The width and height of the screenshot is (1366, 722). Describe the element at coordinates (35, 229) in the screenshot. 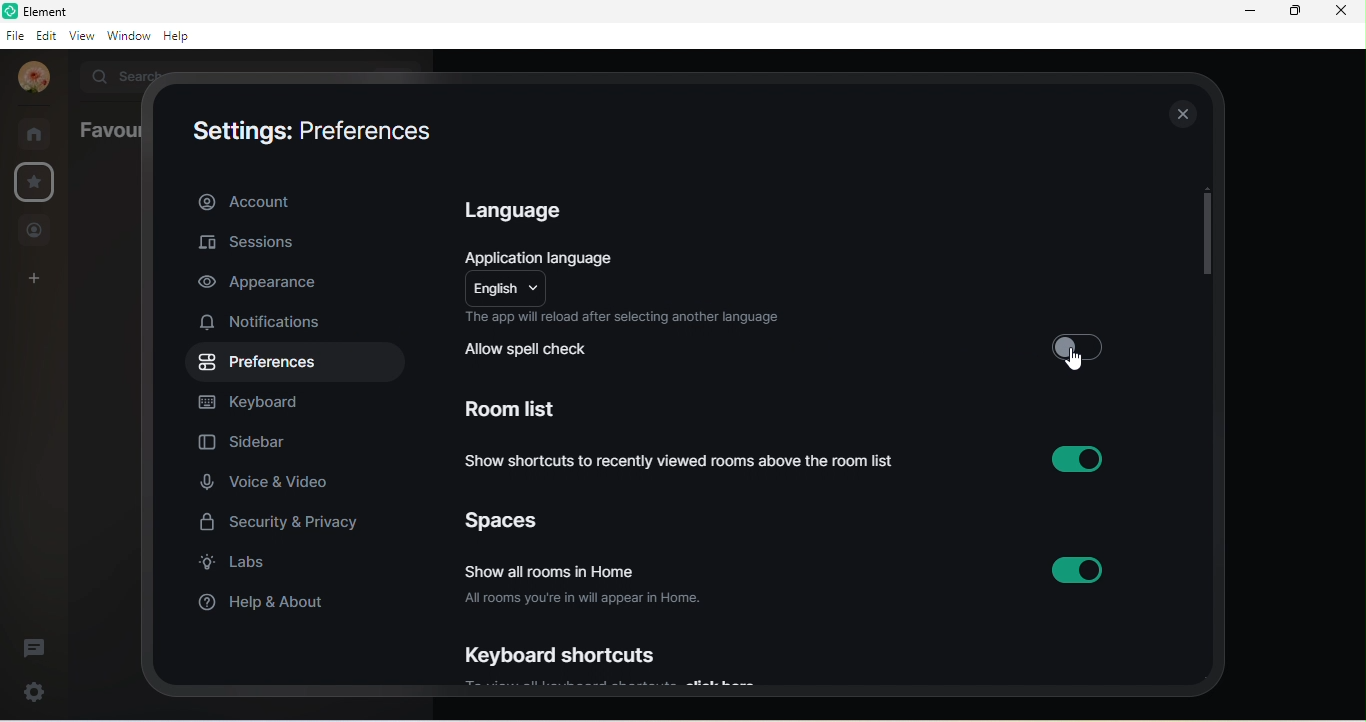

I see `people` at that location.